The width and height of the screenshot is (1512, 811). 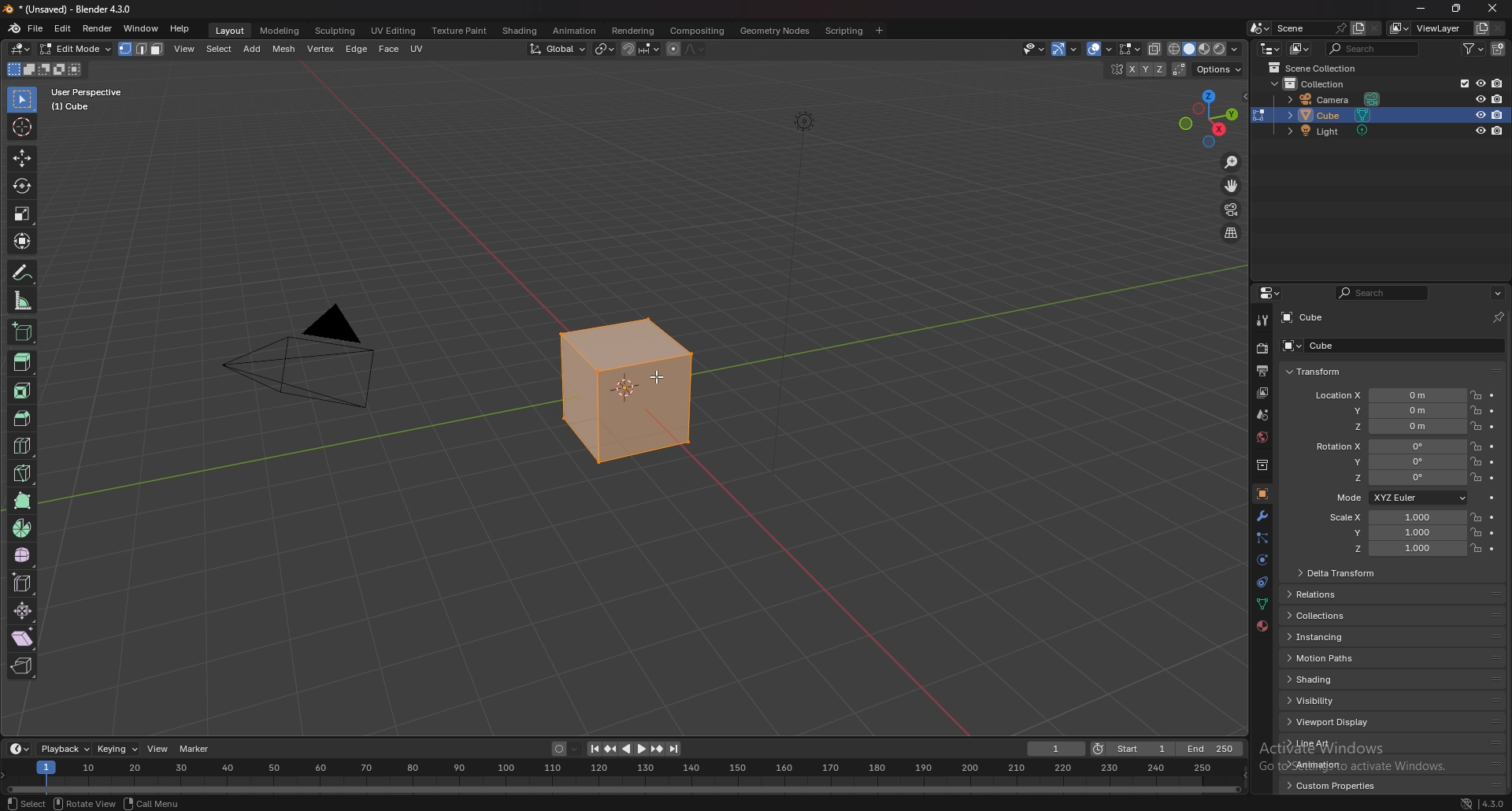 I want to click on delete scene, so click(x=1375, y=29).